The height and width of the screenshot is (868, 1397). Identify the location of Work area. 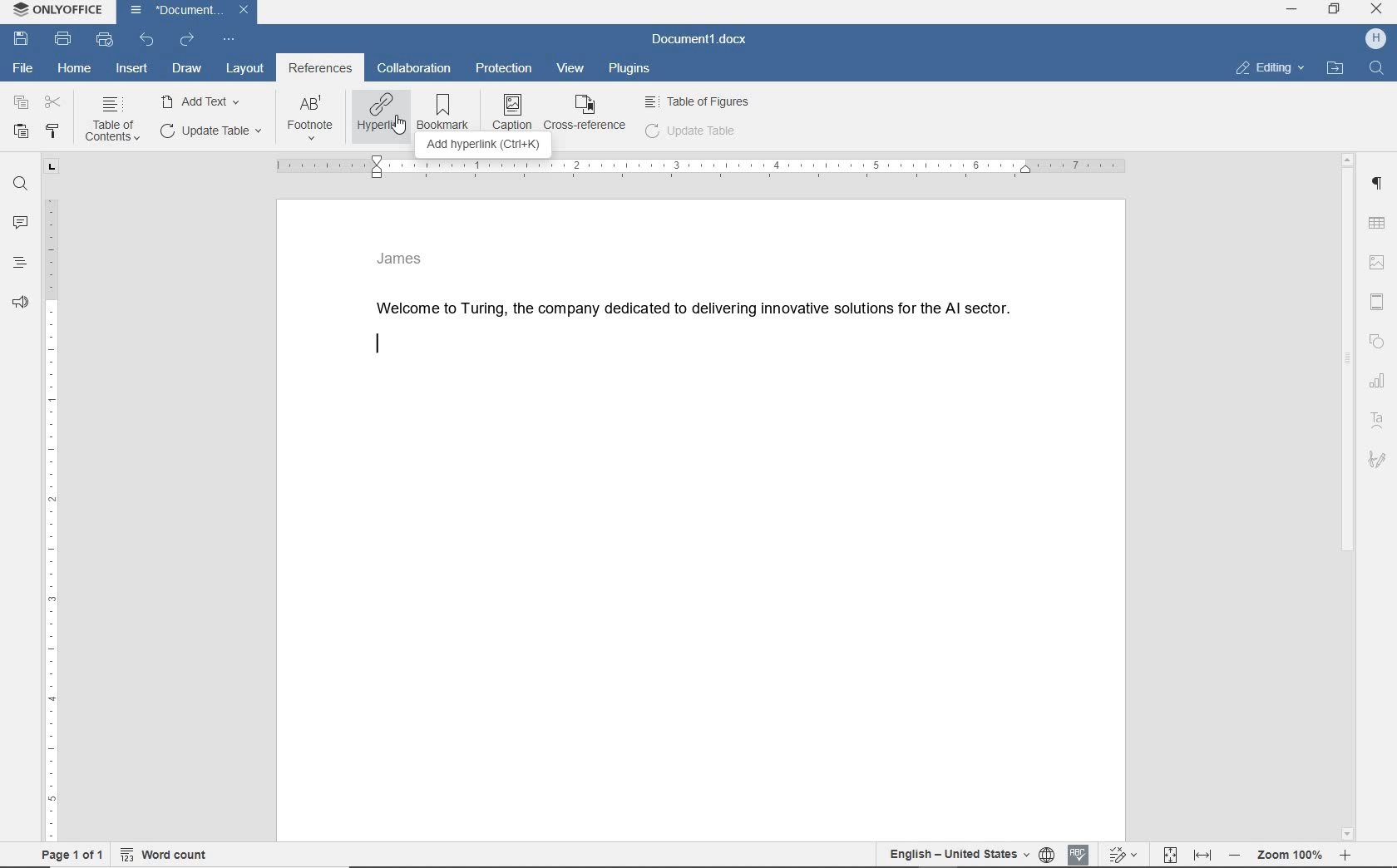
(703, 609).